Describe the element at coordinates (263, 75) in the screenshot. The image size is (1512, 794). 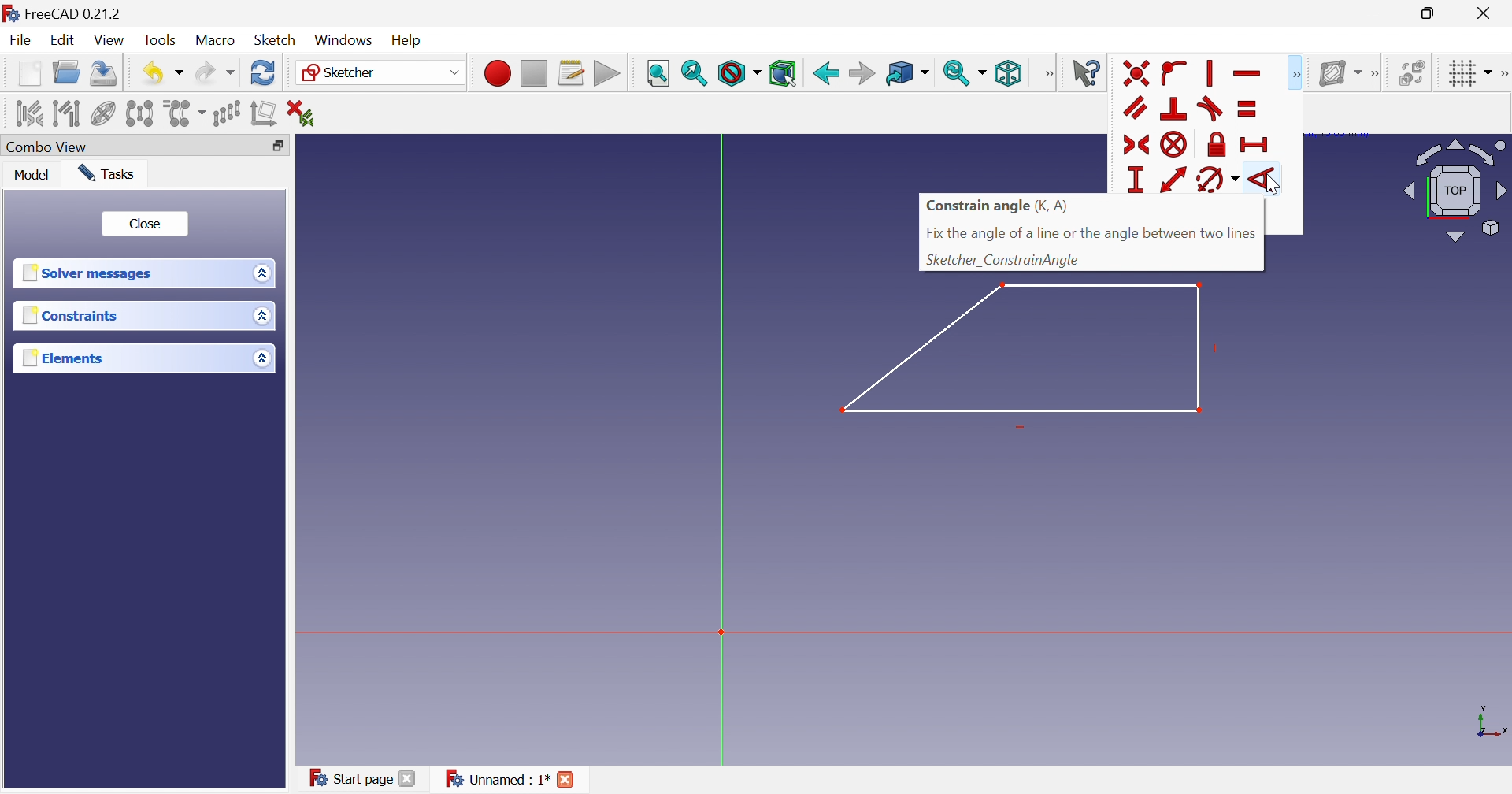
I see `Refresh` at that location.